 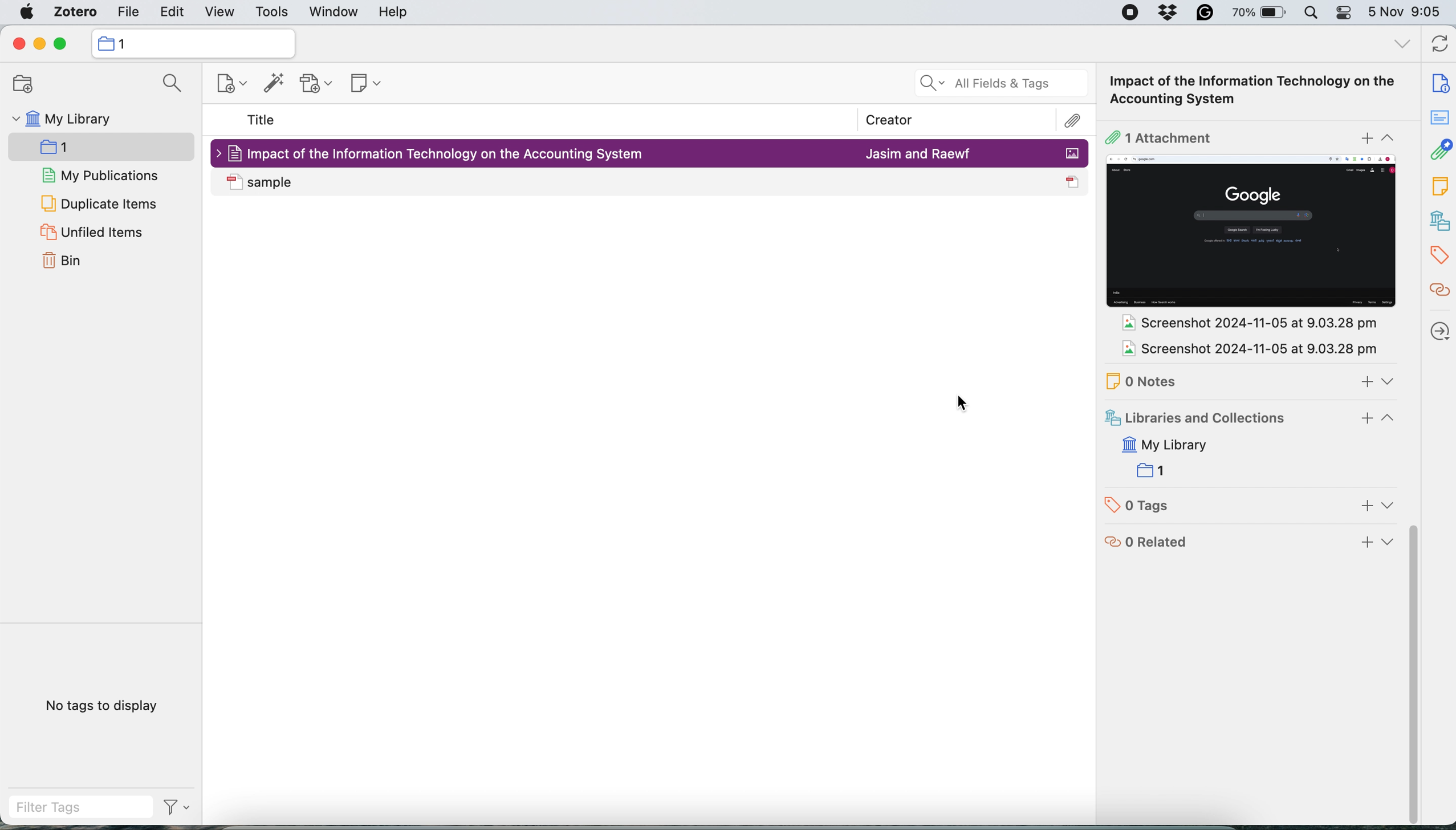 I want to click on collection, so click(x=72, y=149).